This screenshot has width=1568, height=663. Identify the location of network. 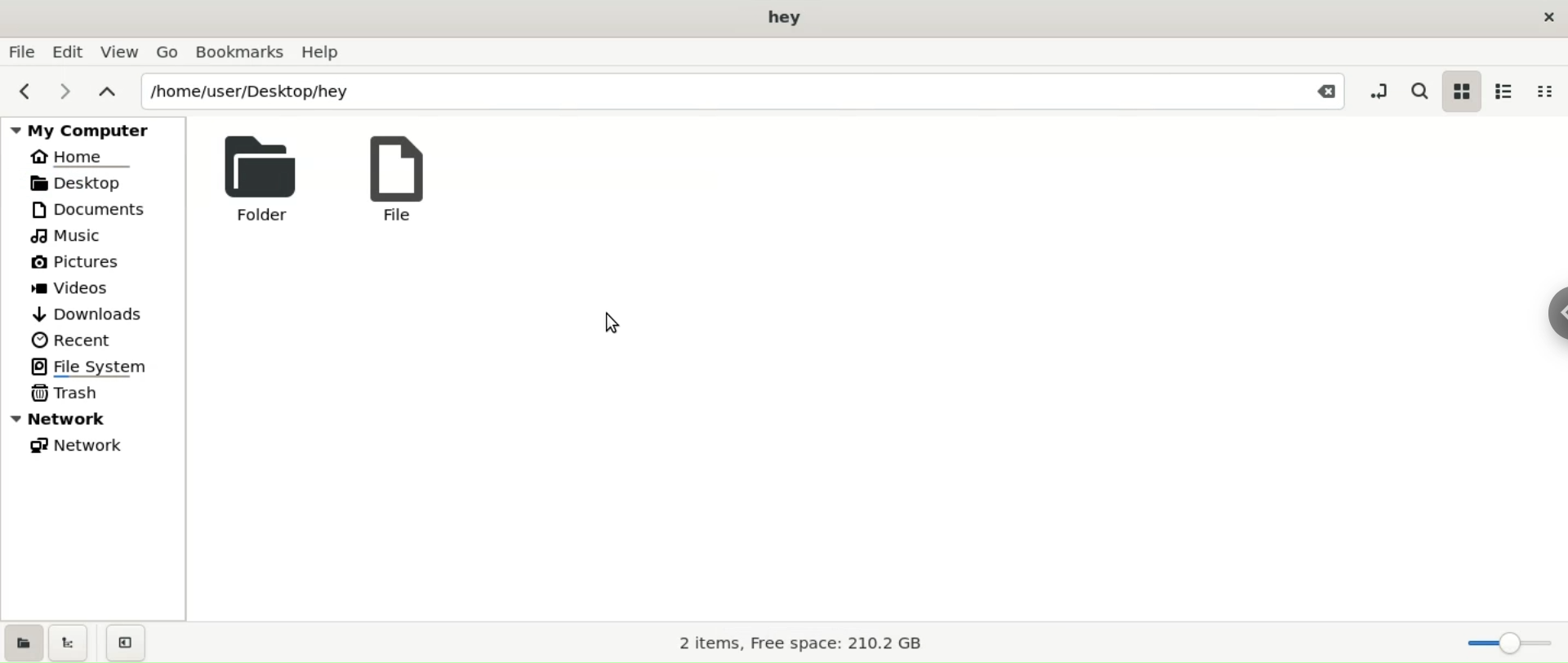
(82, 448).